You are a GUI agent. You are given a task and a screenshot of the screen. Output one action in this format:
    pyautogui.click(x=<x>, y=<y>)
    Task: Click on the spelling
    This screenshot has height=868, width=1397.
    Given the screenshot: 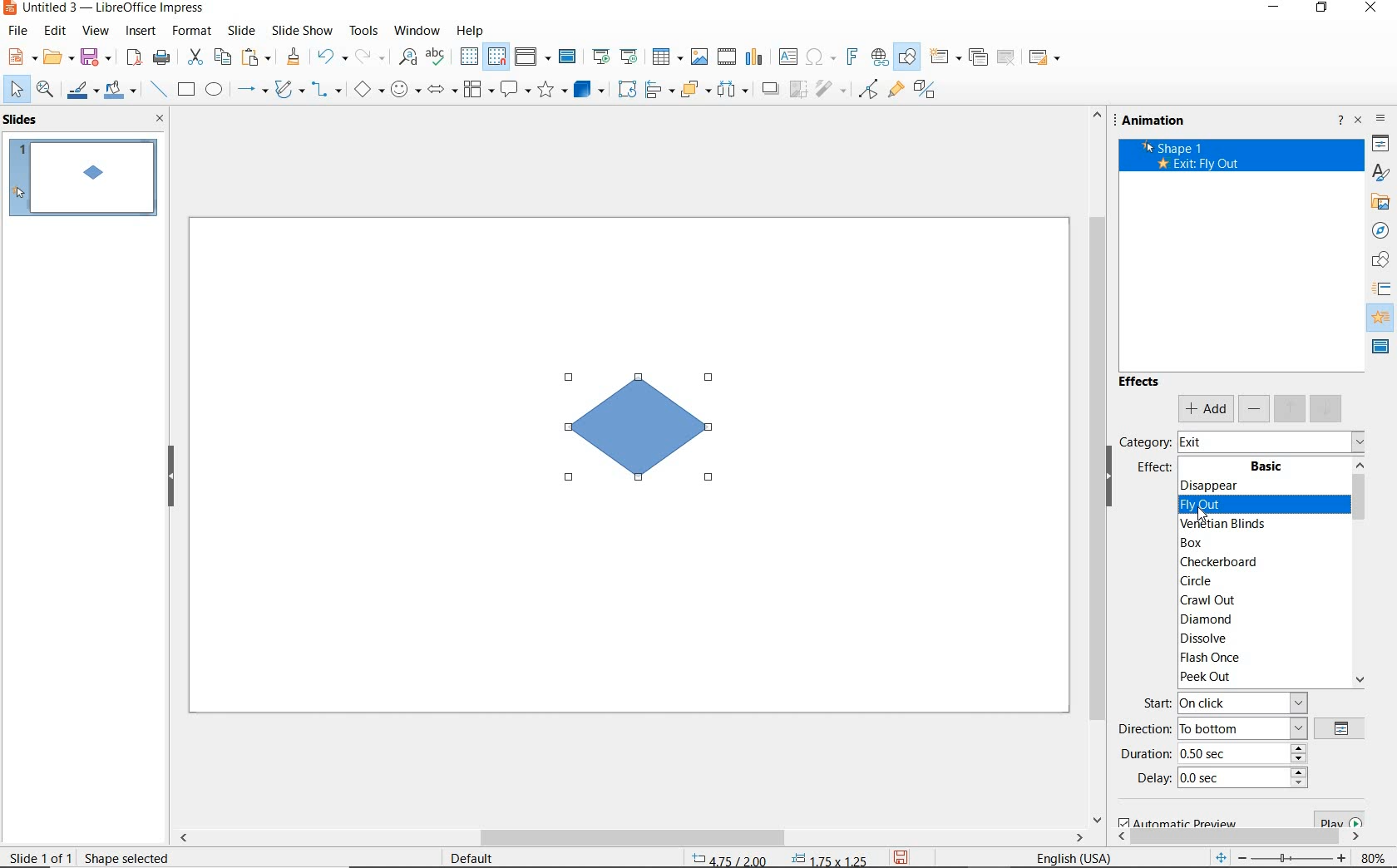 What is the action you would take?
    pyautogui.click(x=439, y=57)
    